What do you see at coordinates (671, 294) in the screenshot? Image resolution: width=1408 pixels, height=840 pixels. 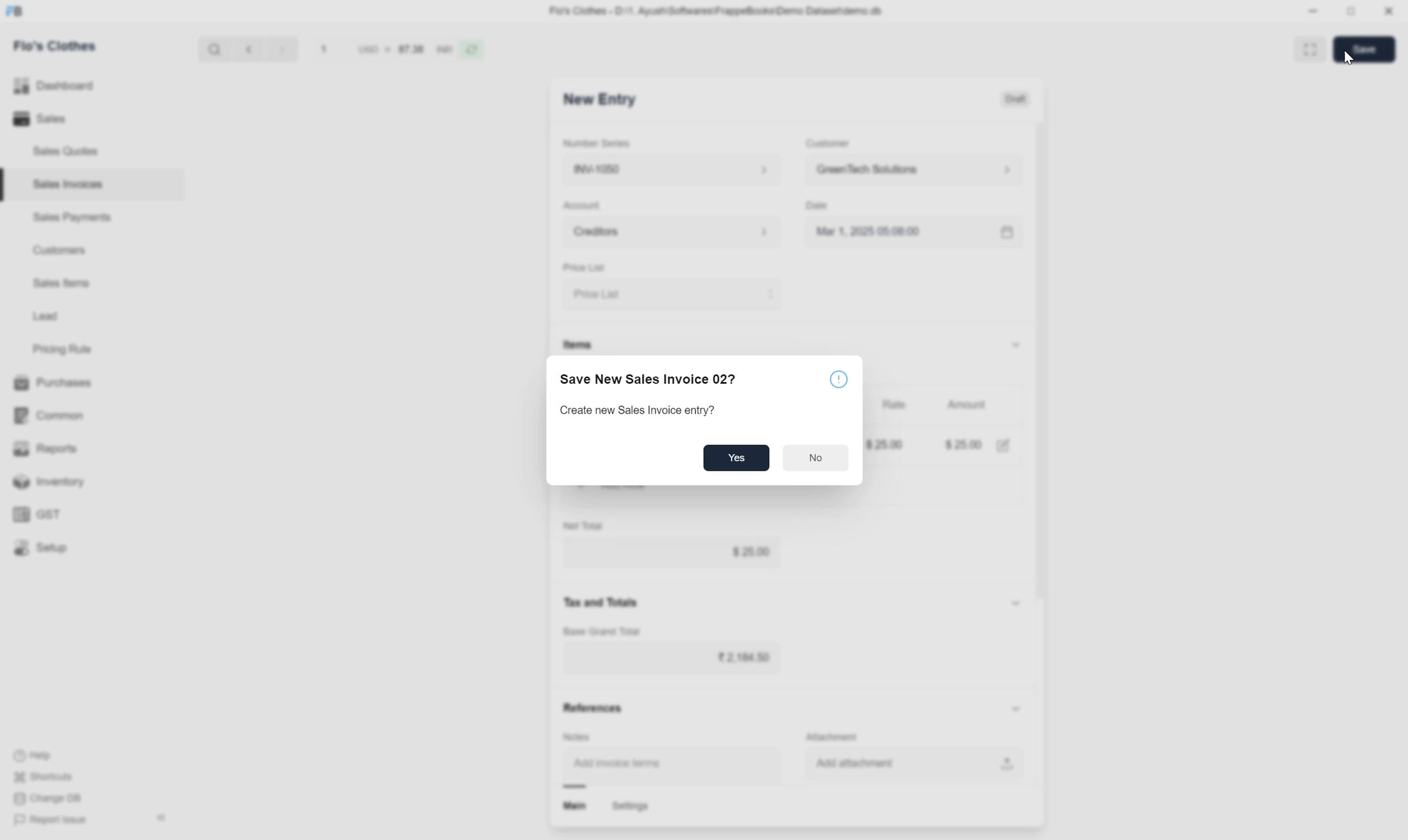 I see `select price list ` at bounding box center [671, 294].